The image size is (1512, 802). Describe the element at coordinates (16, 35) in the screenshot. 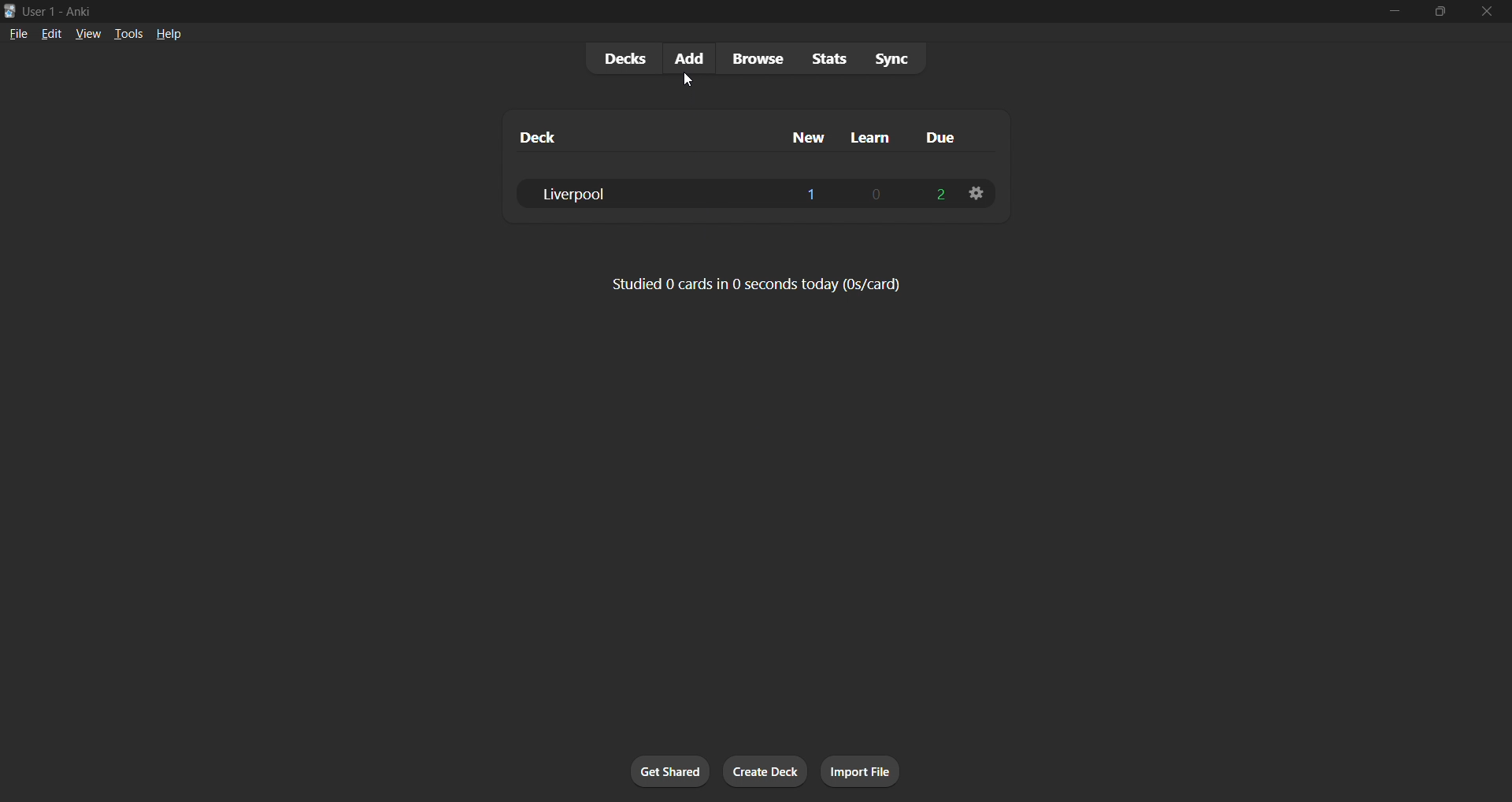

I see `file` at that location.